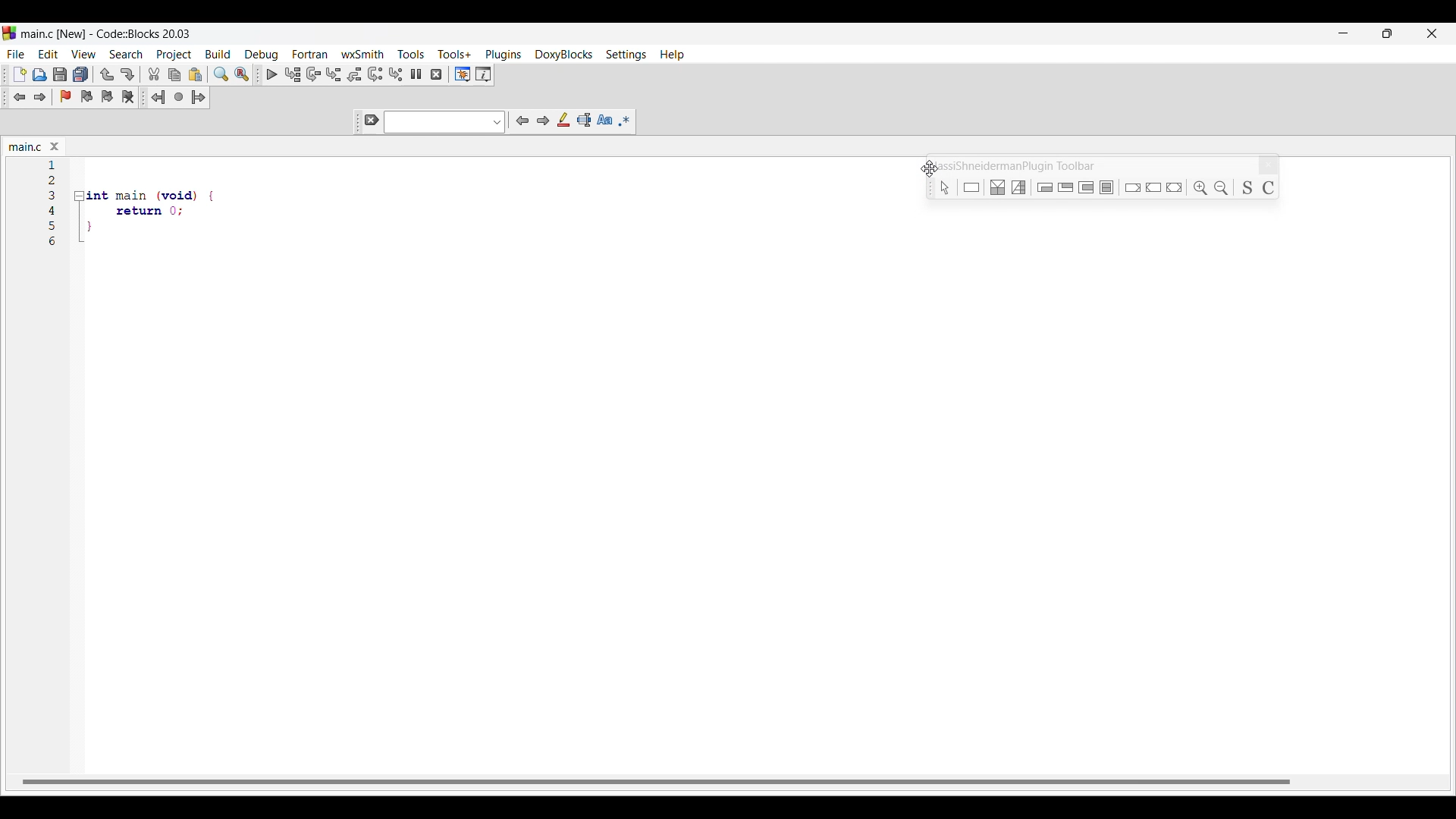  What do you see at coordinates (40, 97) in the screenshot?
I see `Toggle forward` at bounding box center [40, 97].